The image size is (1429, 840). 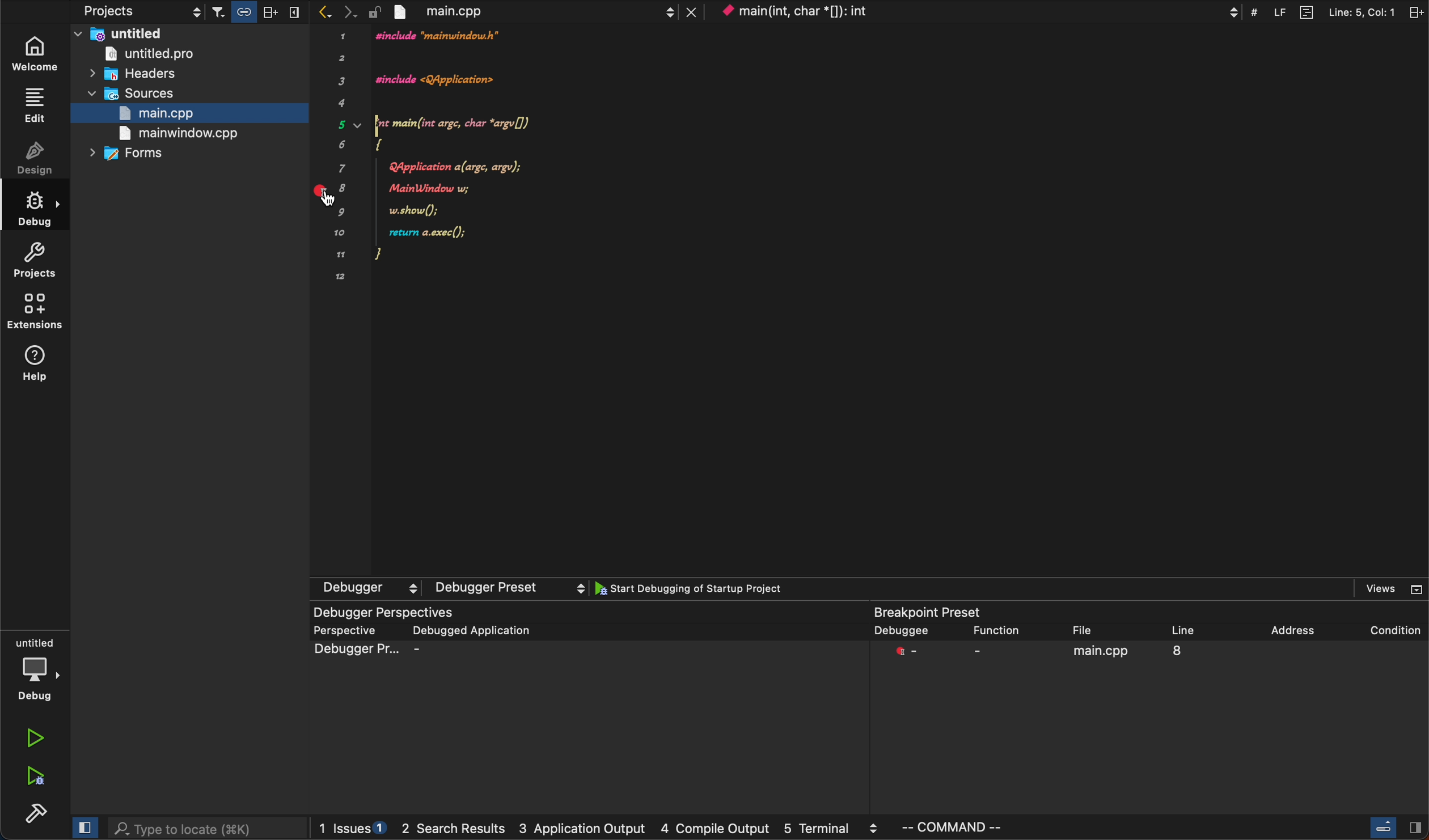 What do you see at coordinates (187, 33) in the screenshot?
I see `untitled` at bounding box center [187, 33].